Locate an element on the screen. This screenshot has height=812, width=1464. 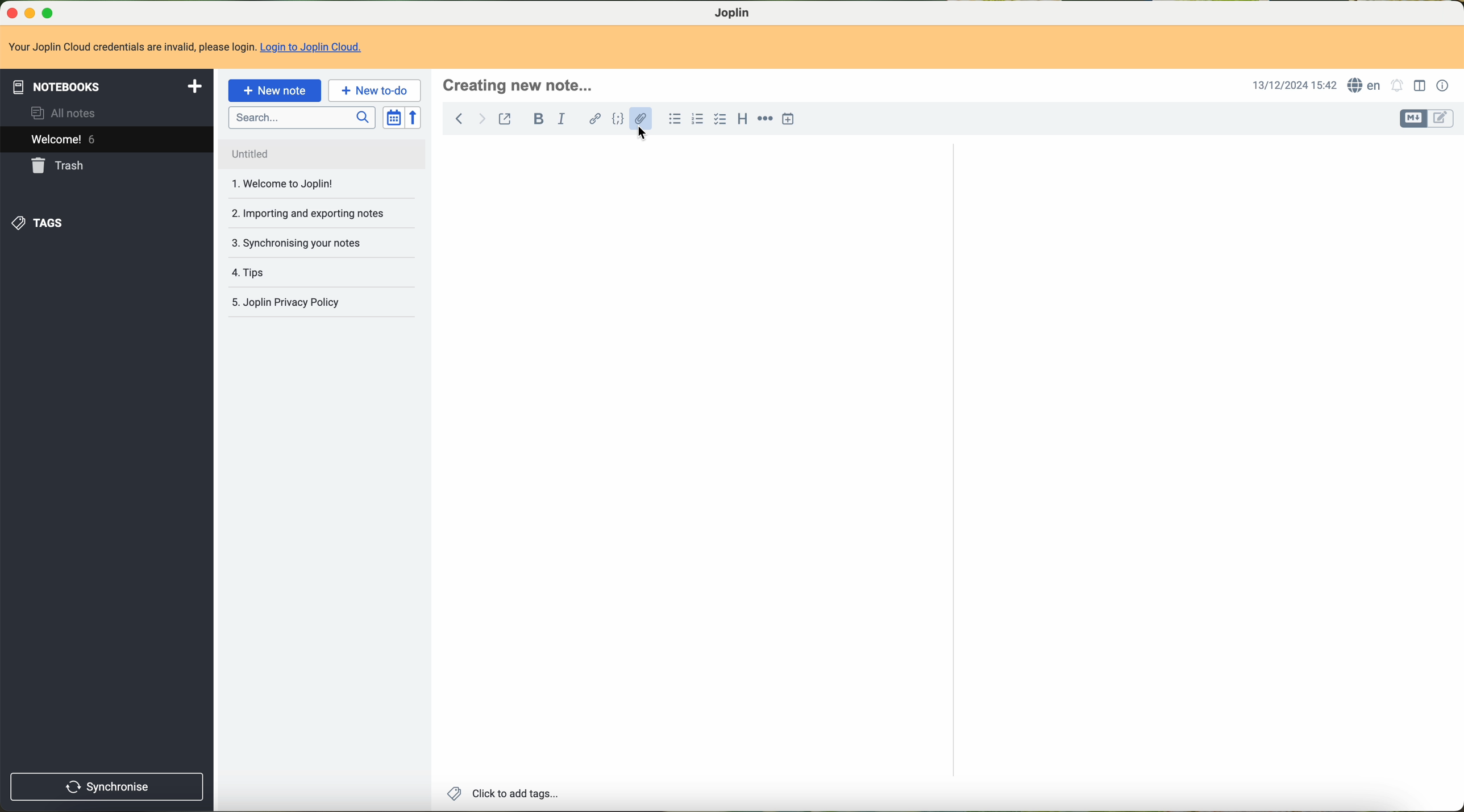
checkbox is located at coordinates (719, 119).